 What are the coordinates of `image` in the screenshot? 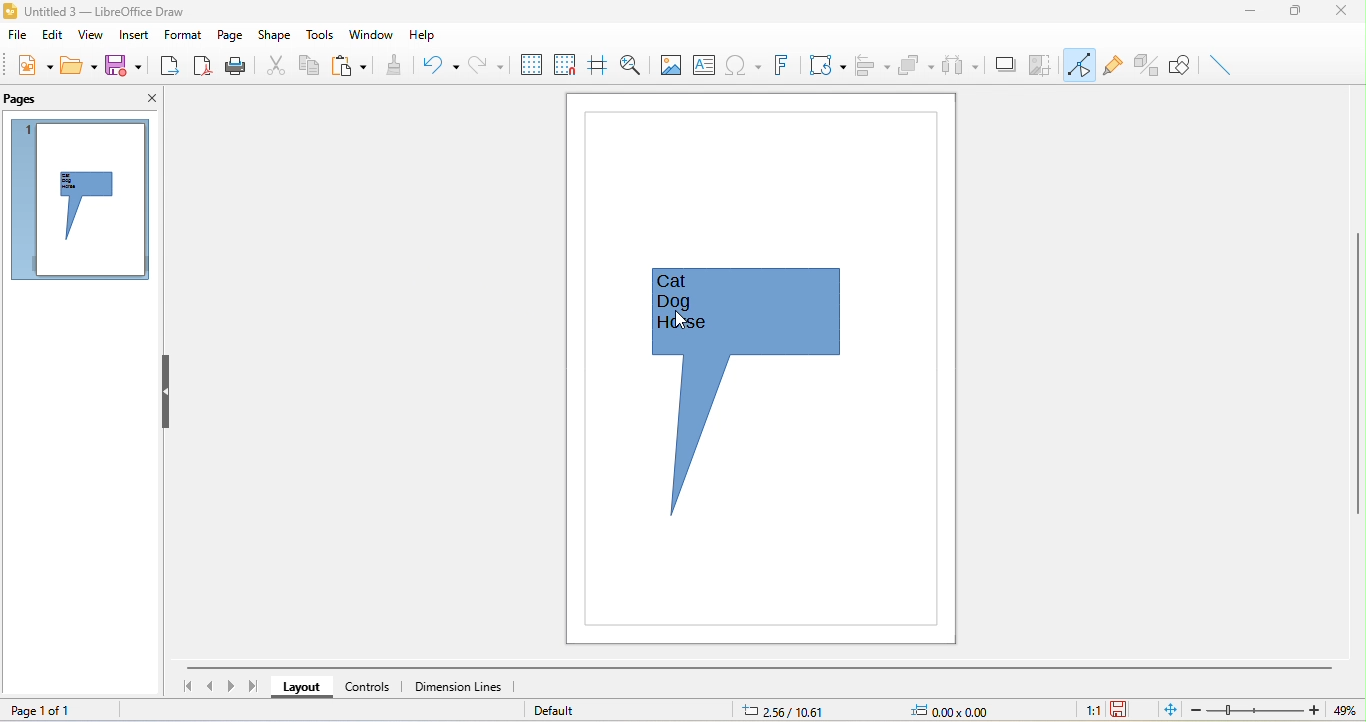 It's located at (669, 64).